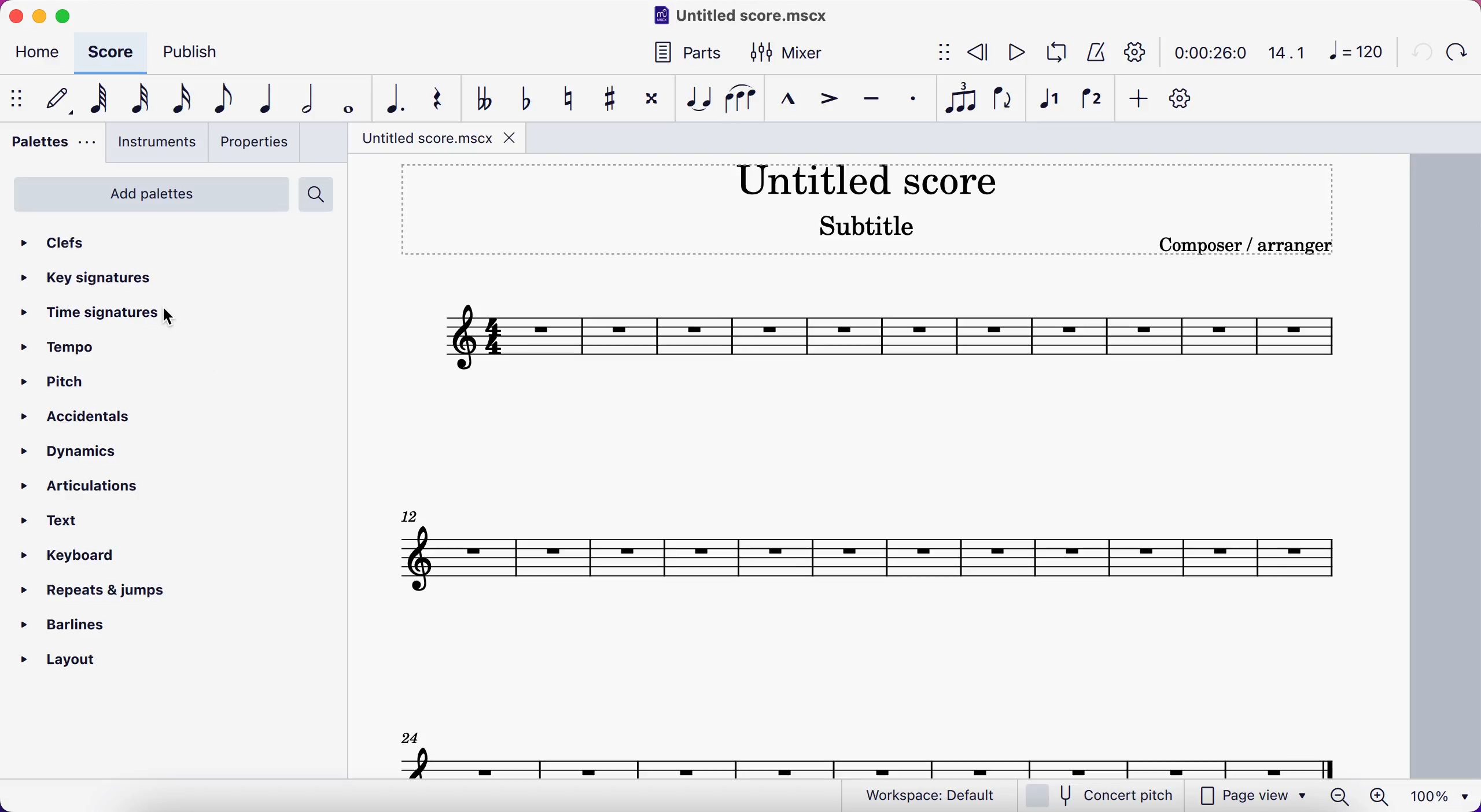 The height and width of the screenshot is (812, 1481). I want to click on tie, so click(694, 97).